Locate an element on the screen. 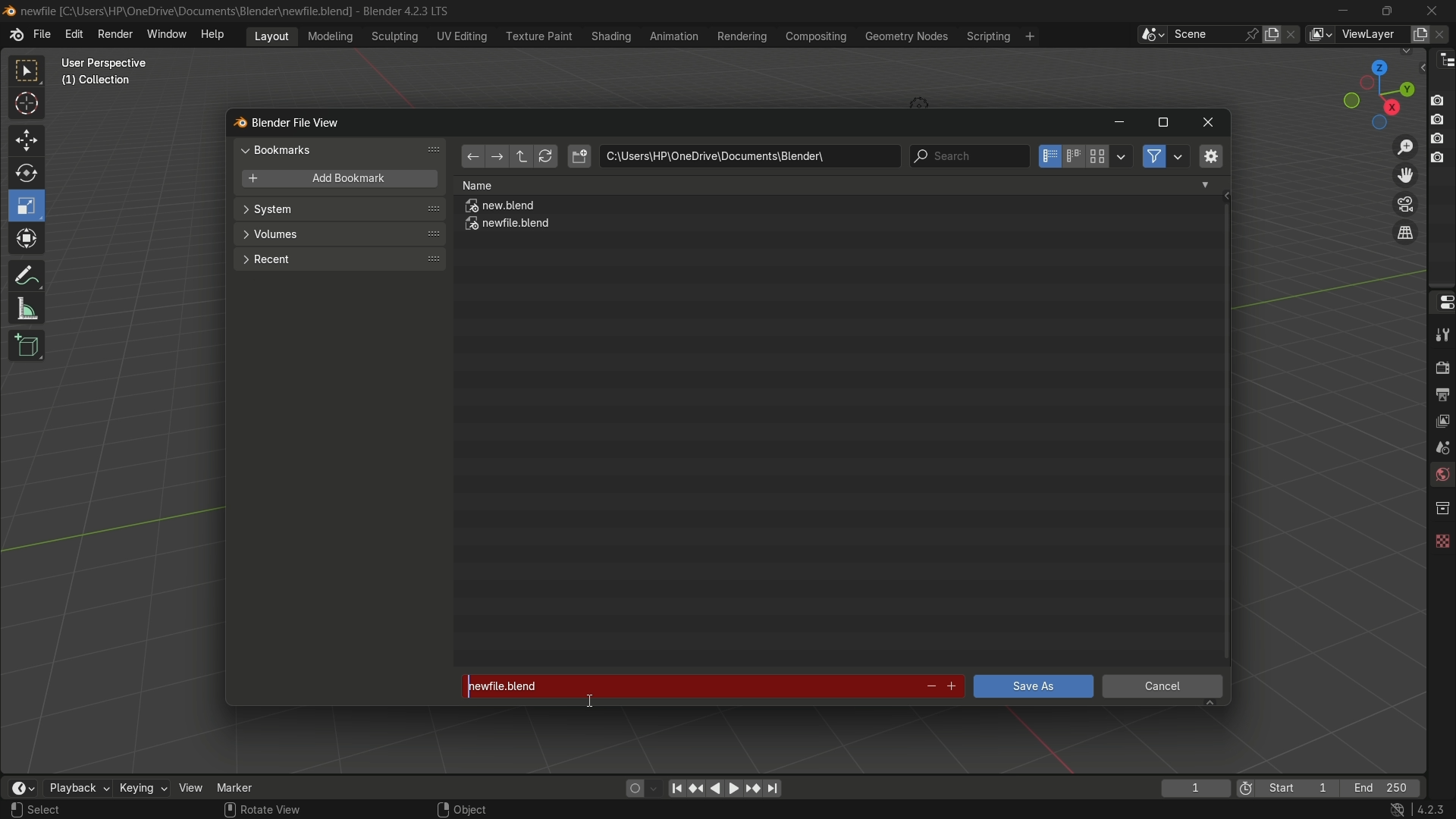  text Cursor is located at coordinates (591, 703).